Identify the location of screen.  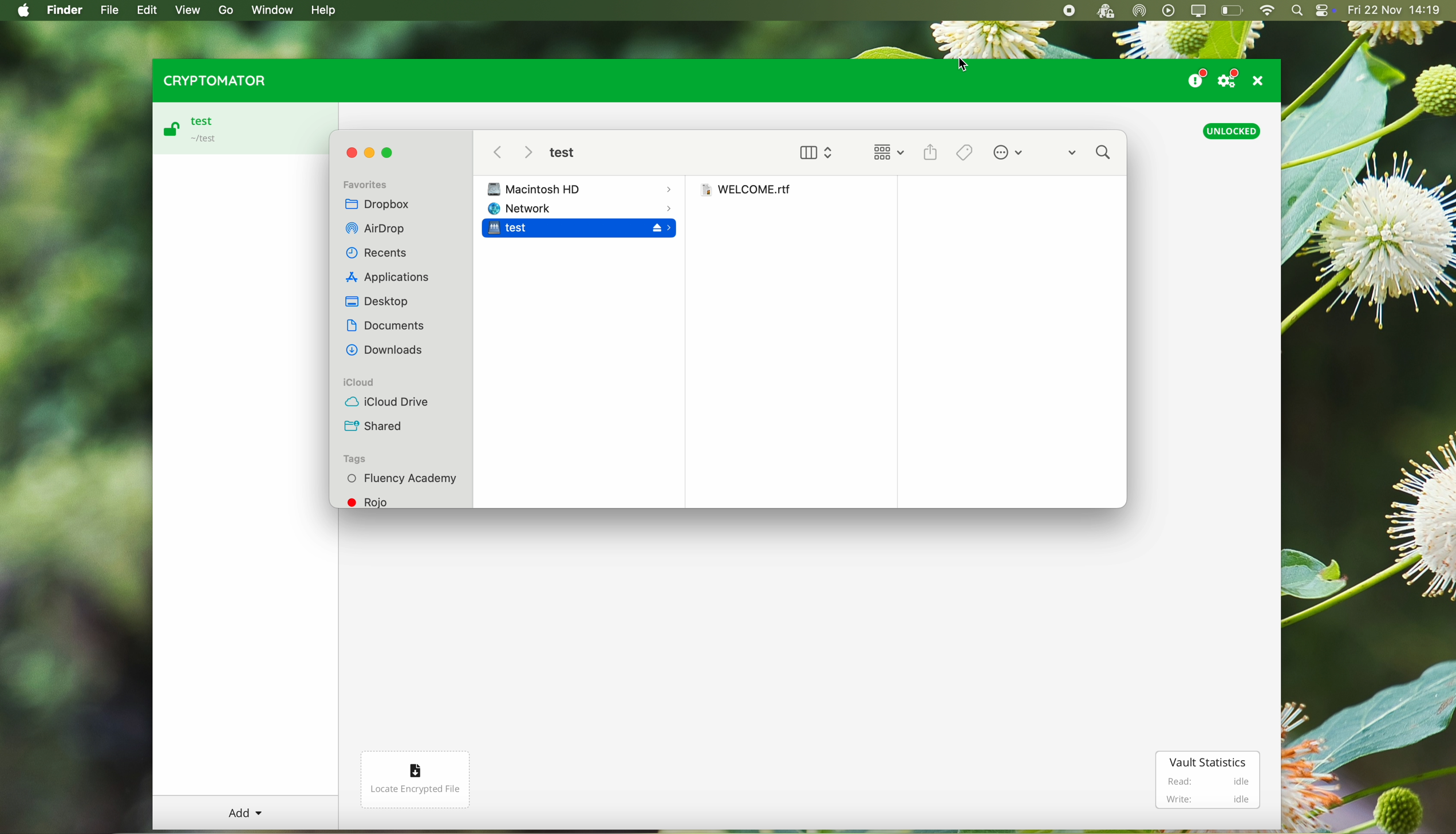
(1200, 11).